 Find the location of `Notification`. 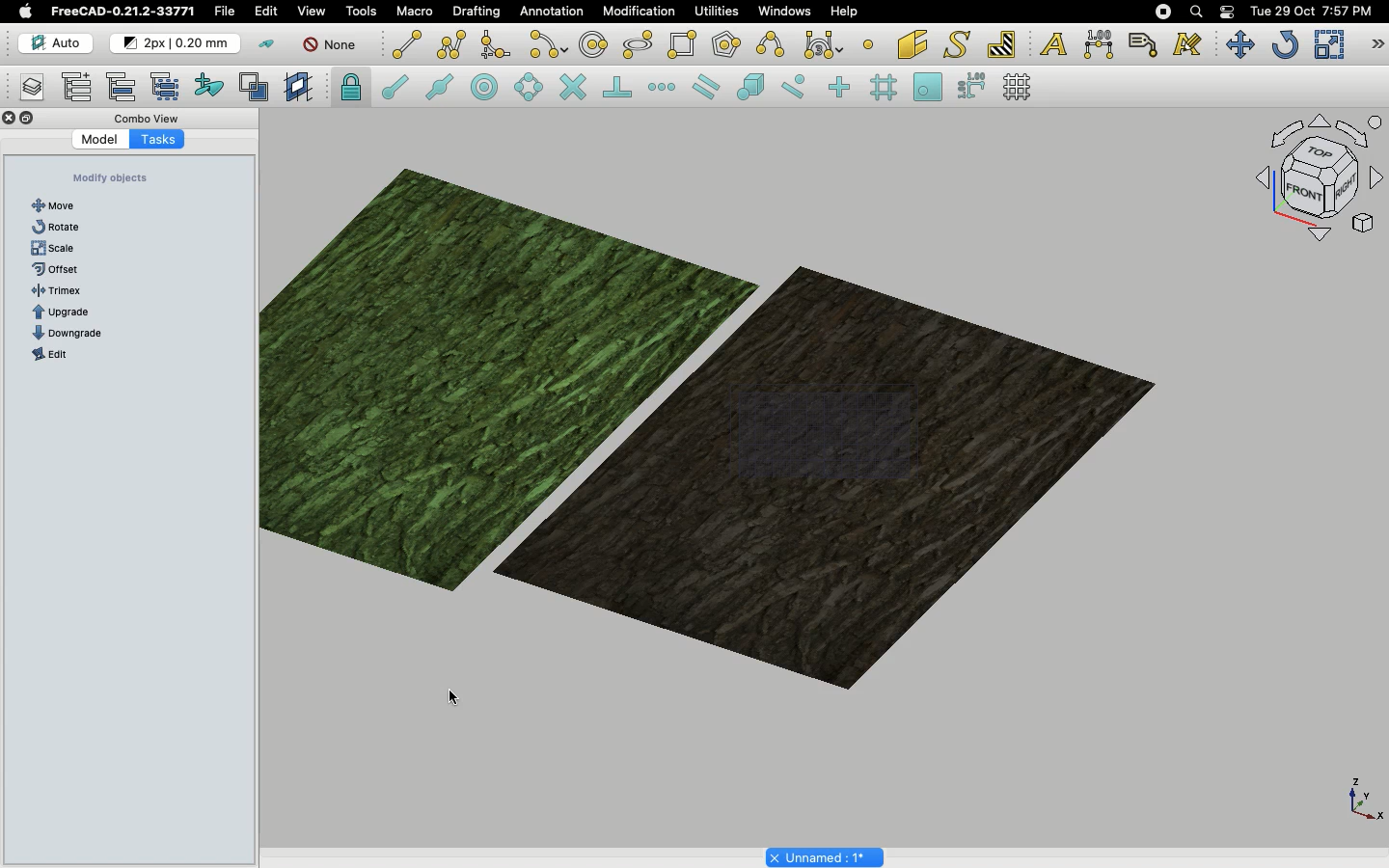

Notification is located at coordinates (1229, 11).